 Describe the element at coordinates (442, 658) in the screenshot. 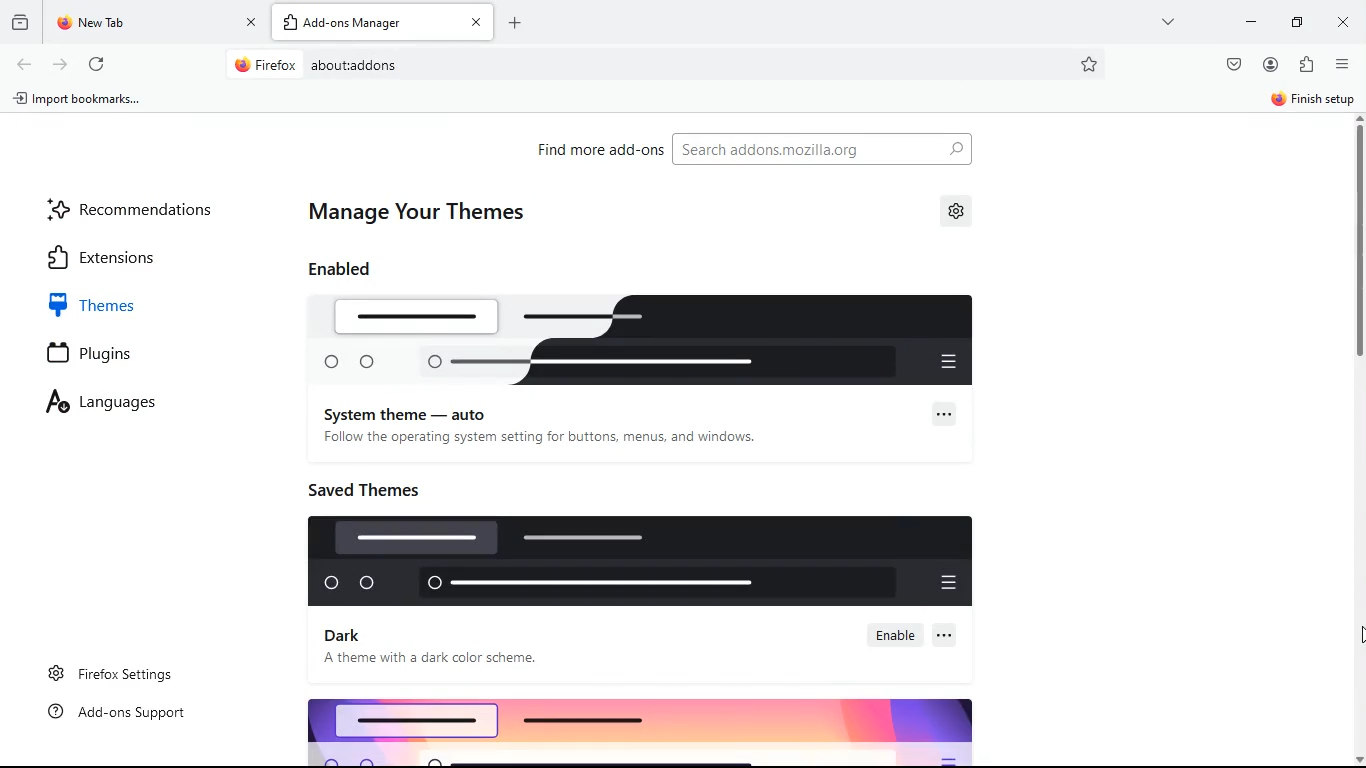

I see `A theme with a dark scheme` at that location.